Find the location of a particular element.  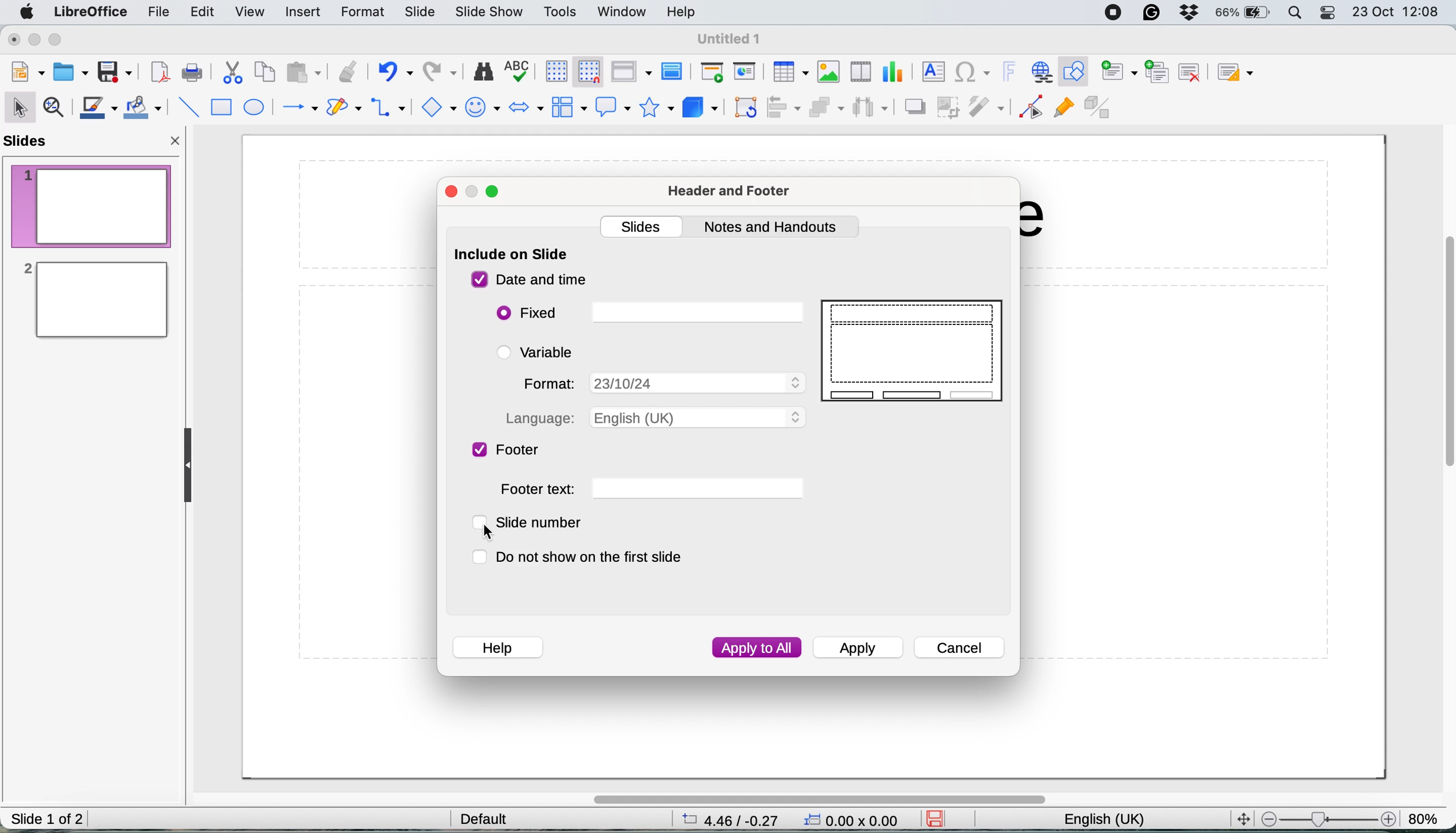

3d objects is located at coordinates (699, 108).